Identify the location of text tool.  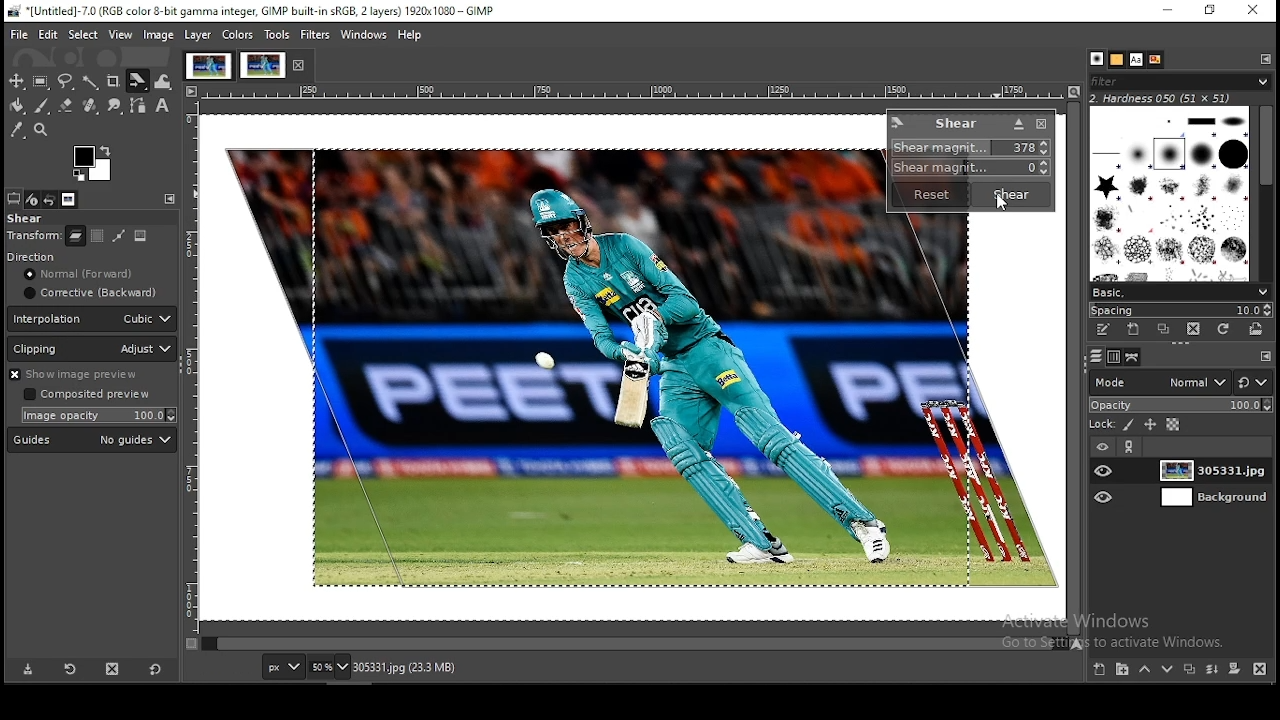
(164, 106).